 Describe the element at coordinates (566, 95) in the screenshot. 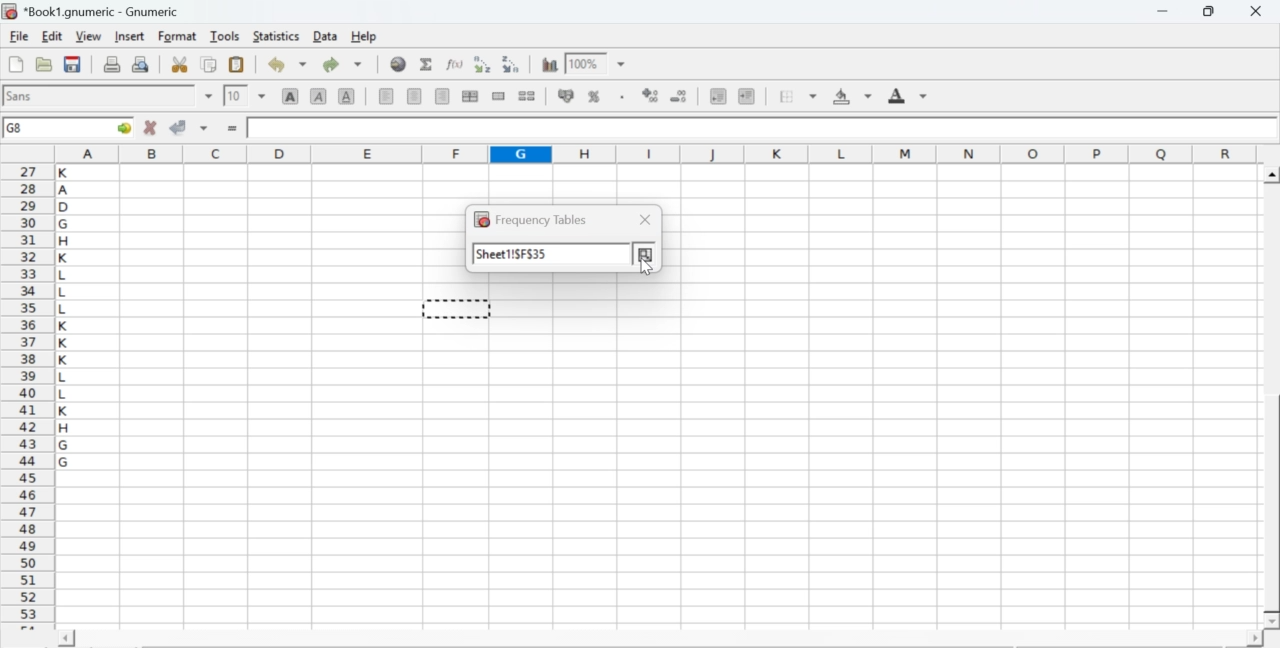

I see `format selection as accounting` at that location.